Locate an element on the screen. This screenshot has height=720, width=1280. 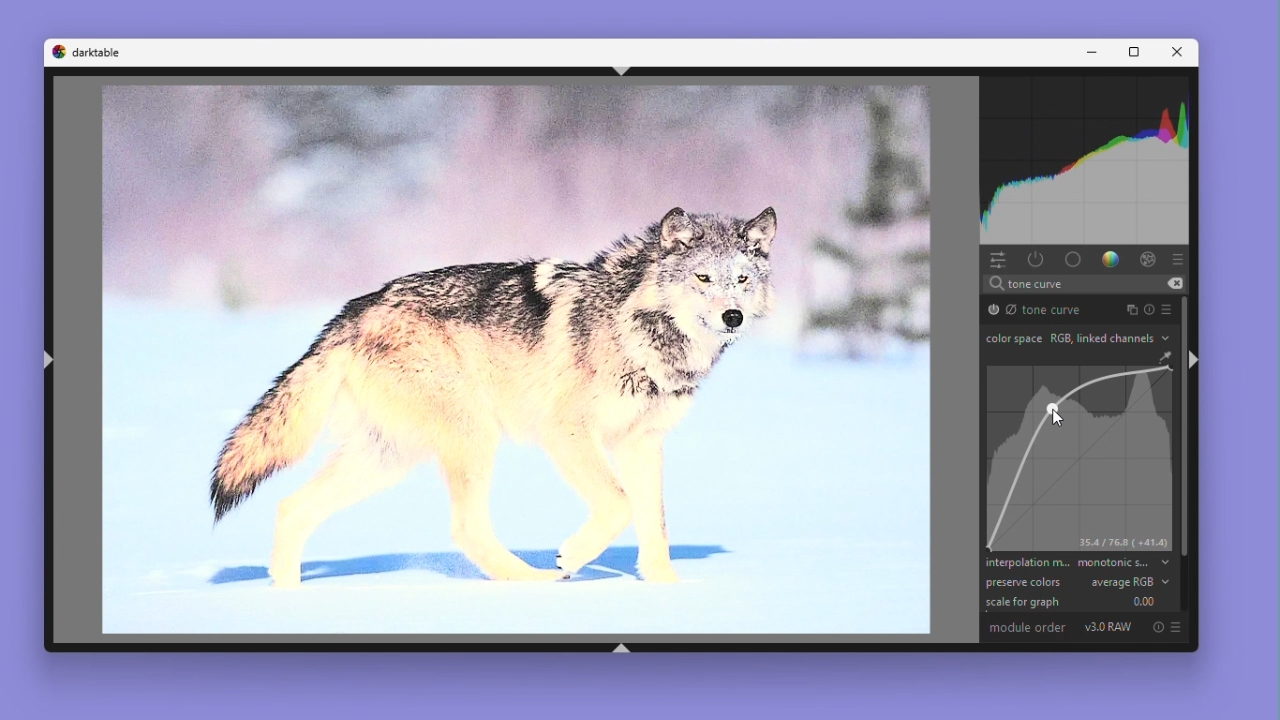
35.4/76.8 (+41.4) is located at coordinates (1120, 543).